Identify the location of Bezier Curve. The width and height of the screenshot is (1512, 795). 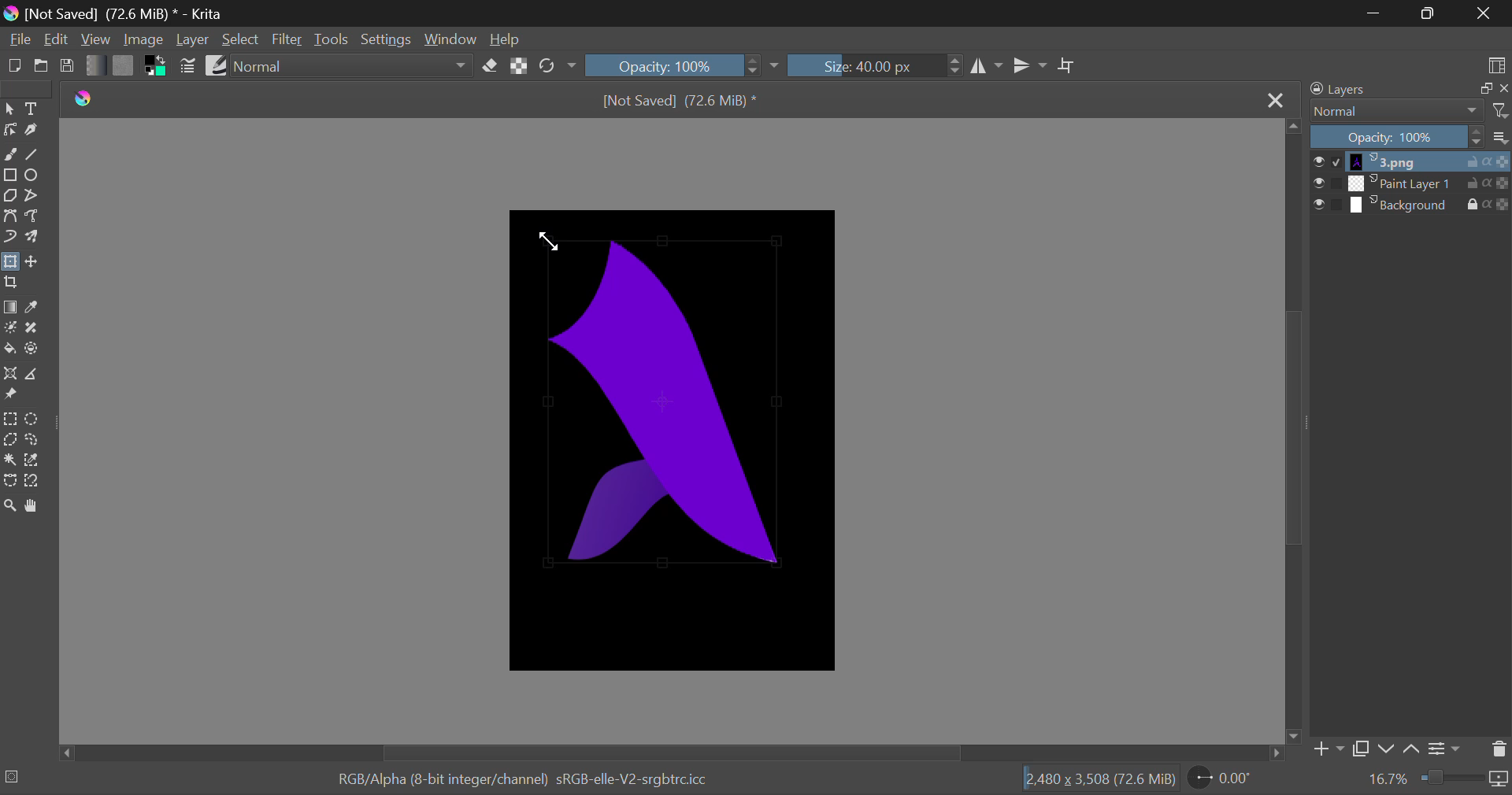
(9, 216).